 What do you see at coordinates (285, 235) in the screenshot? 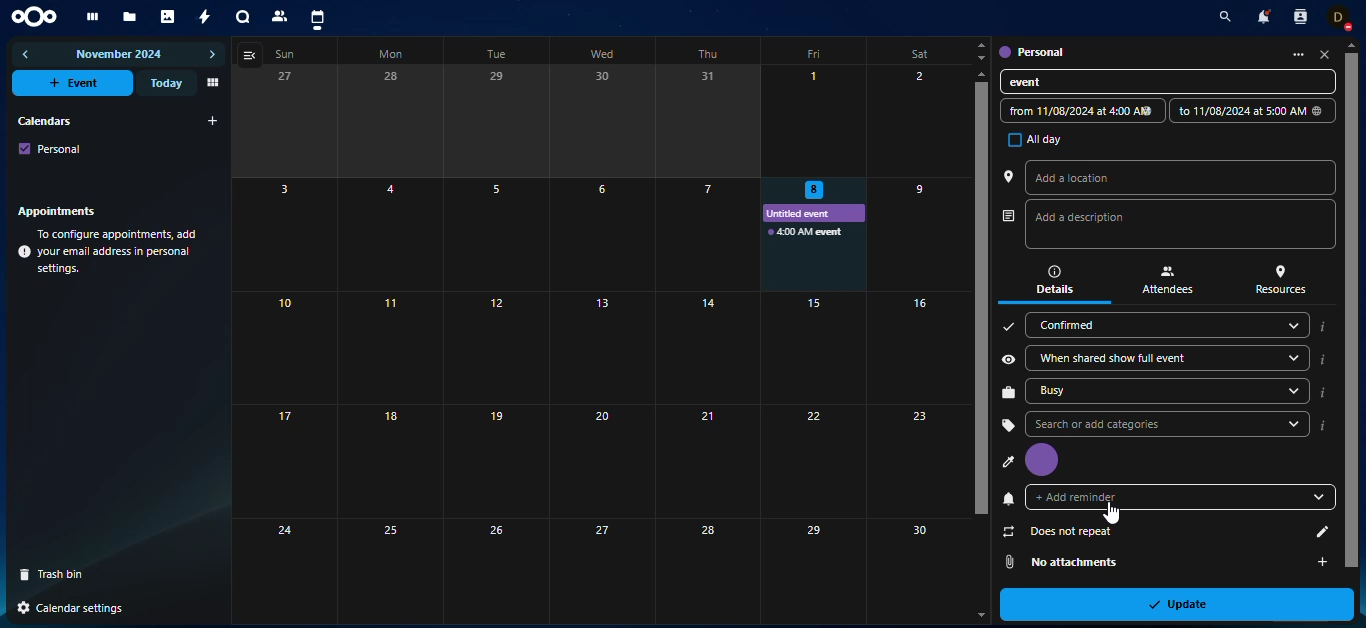
I see `3` at bounding box center [285, 235].